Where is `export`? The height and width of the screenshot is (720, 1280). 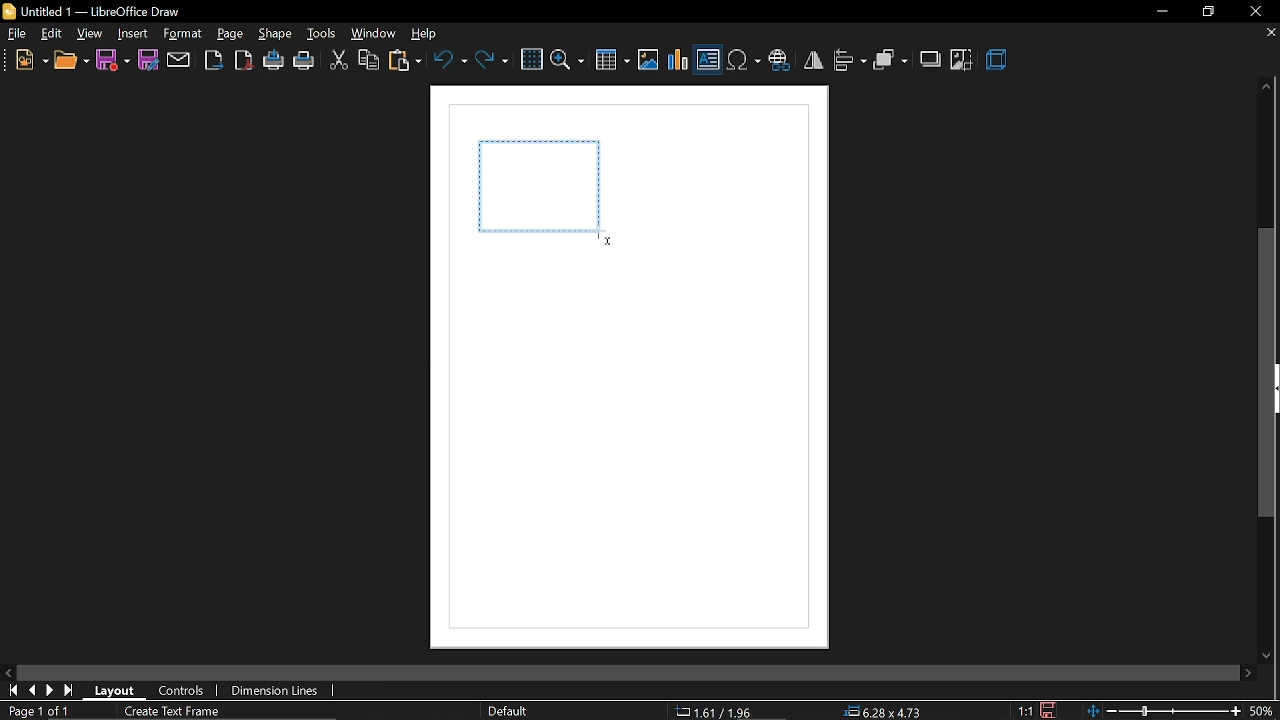
export is located at coordinates (213, 60).